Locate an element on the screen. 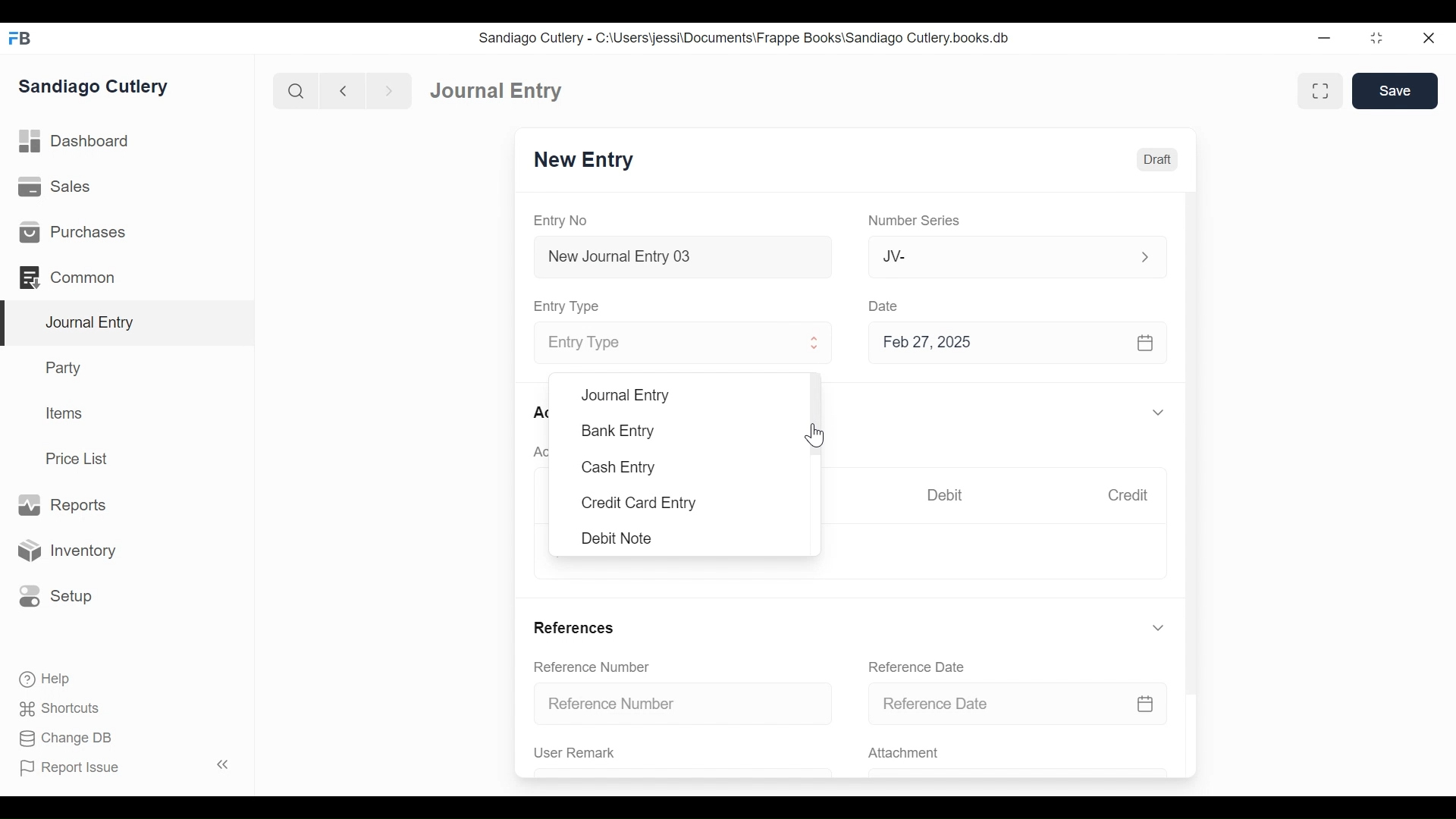 The image size is (1456, 819). Journal Entry is located at coordinates (498, 91).